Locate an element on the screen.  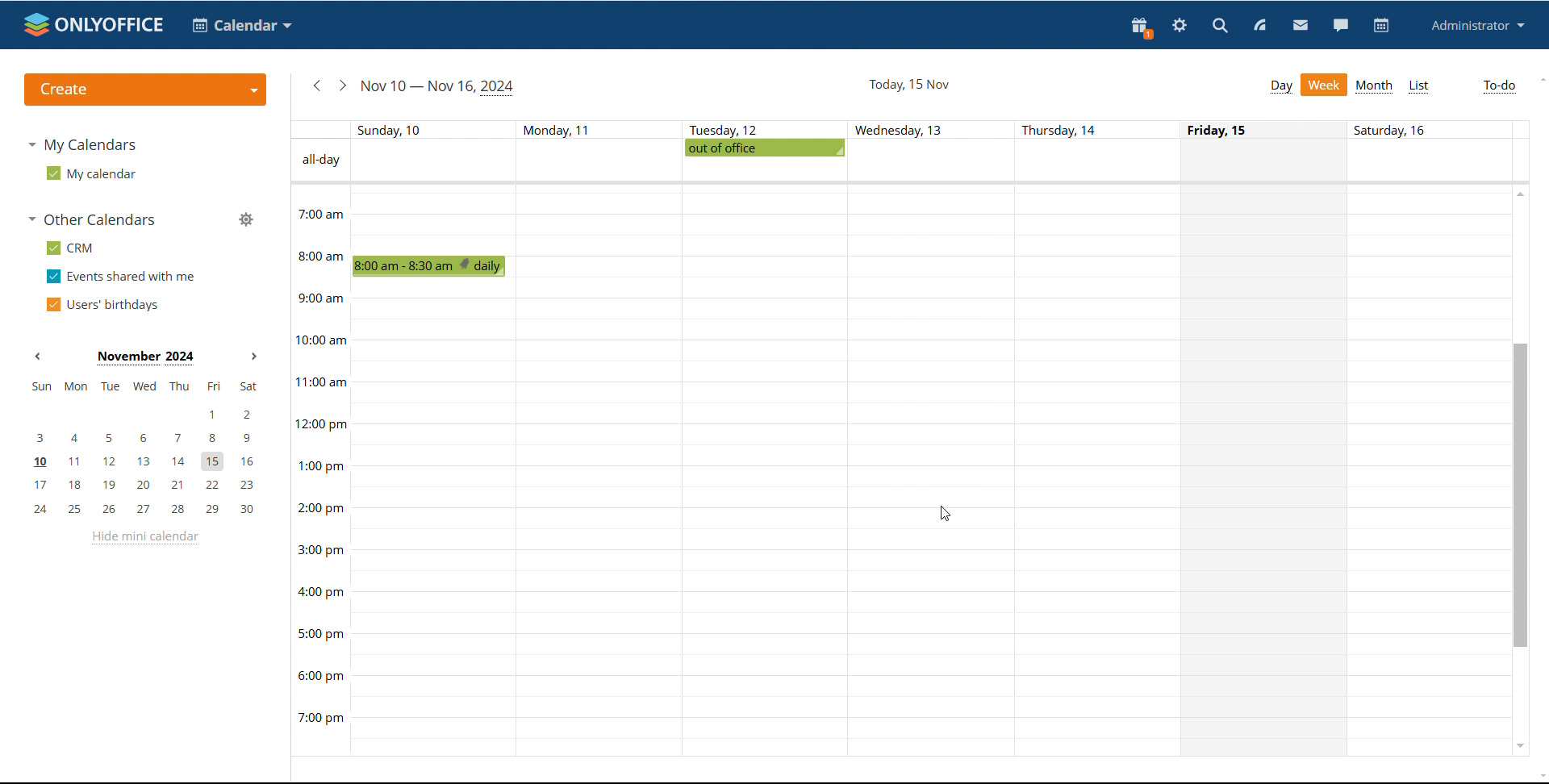
previous week is located at coordinates (316, 85).